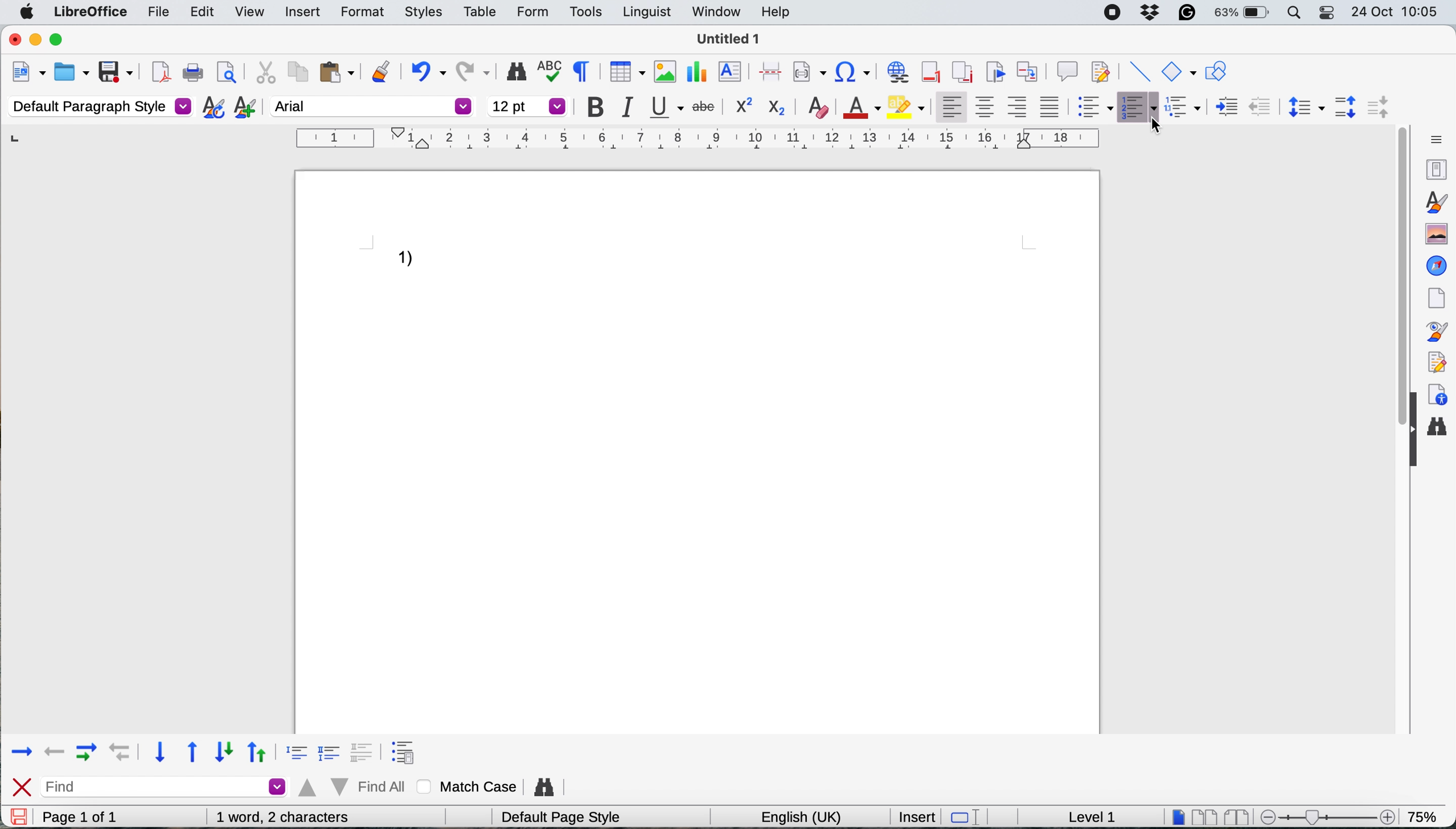 Image resolution: width=1456 pixels, height=829 pixels. I want to click on file, so click(159, 14).